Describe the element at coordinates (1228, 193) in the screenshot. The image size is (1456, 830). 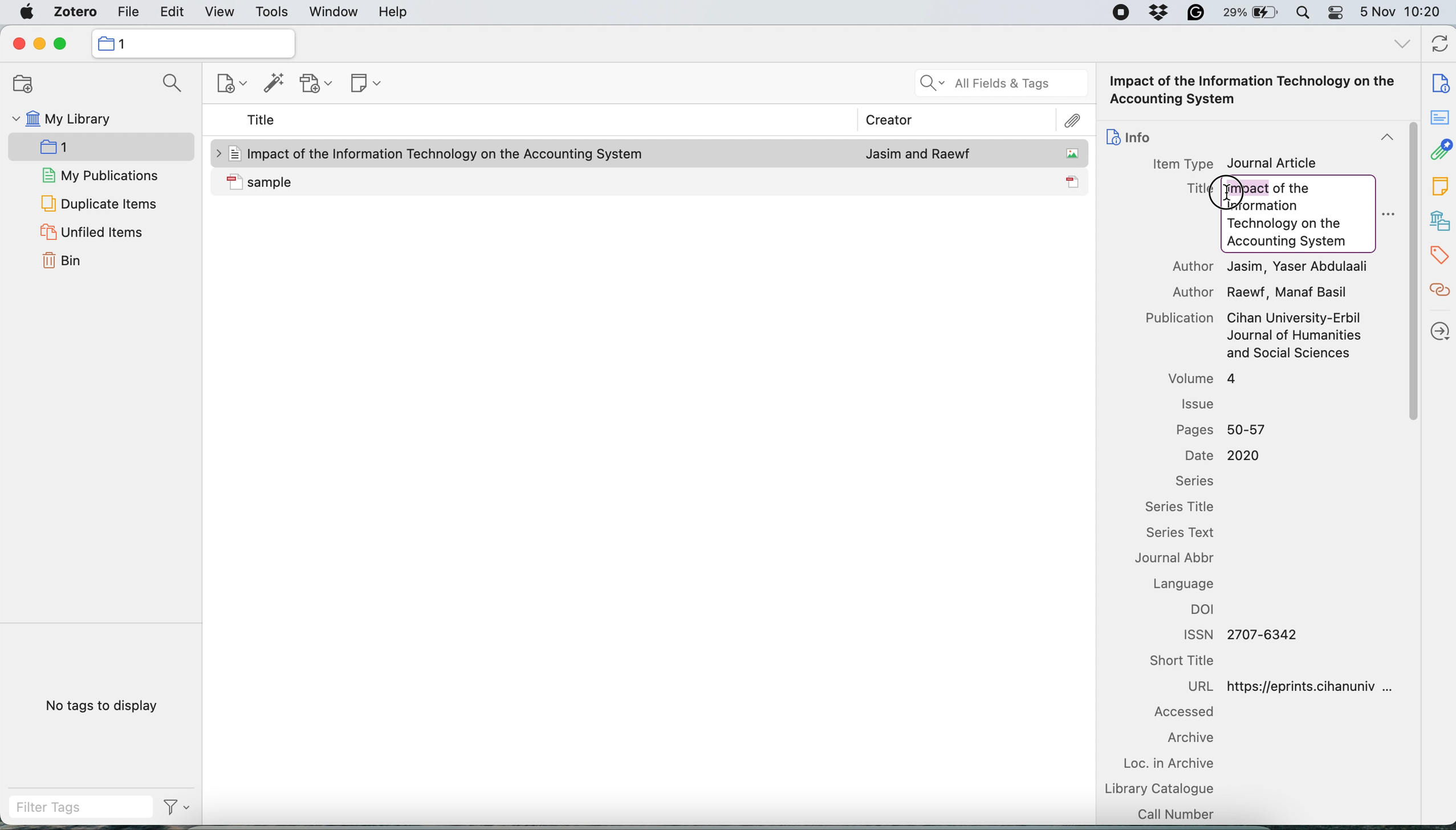
I see `cursor` at that location.